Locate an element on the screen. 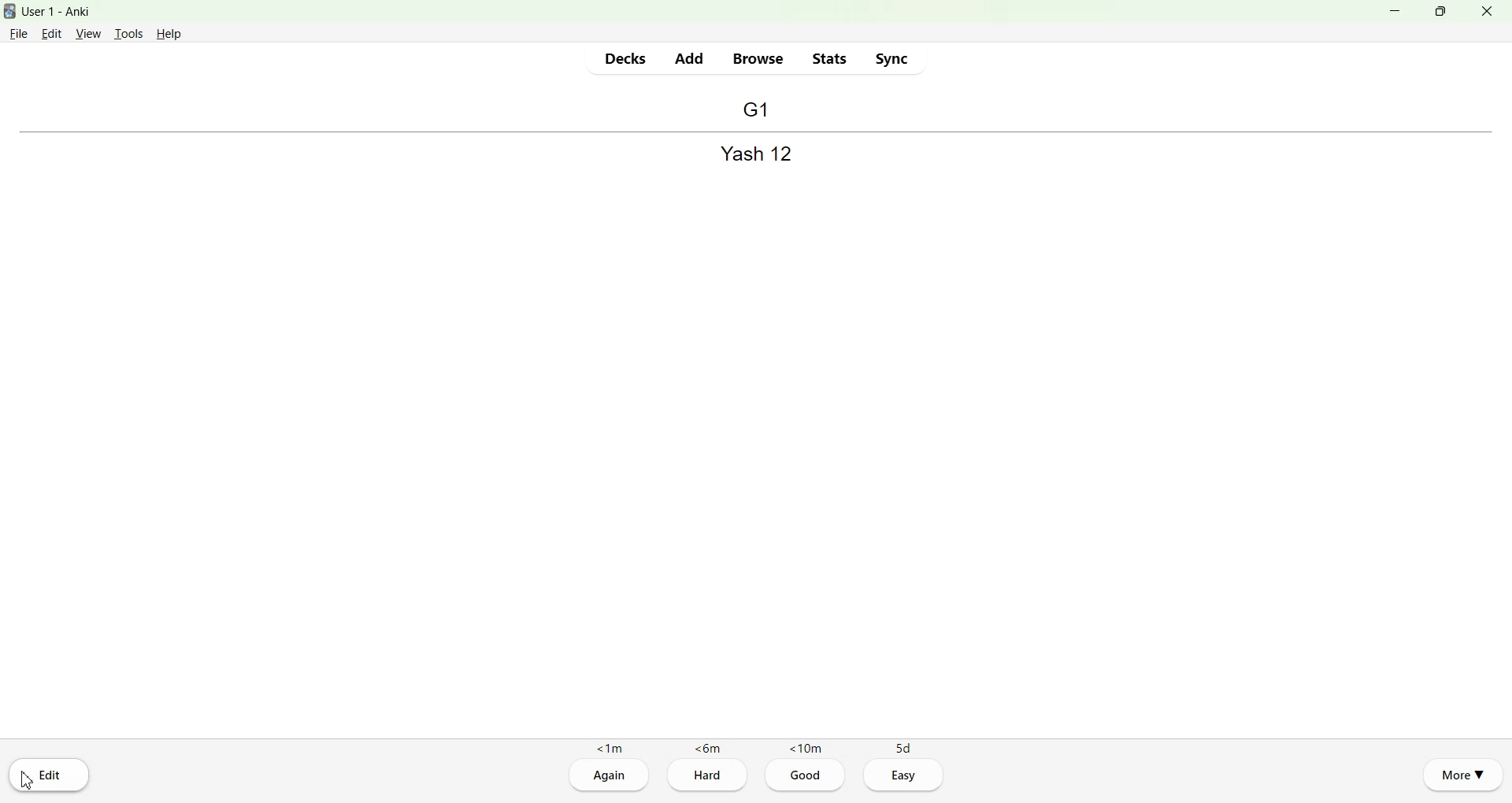 This screenshot has width=1512, height=803. Good is located at coordinates (806, 776).